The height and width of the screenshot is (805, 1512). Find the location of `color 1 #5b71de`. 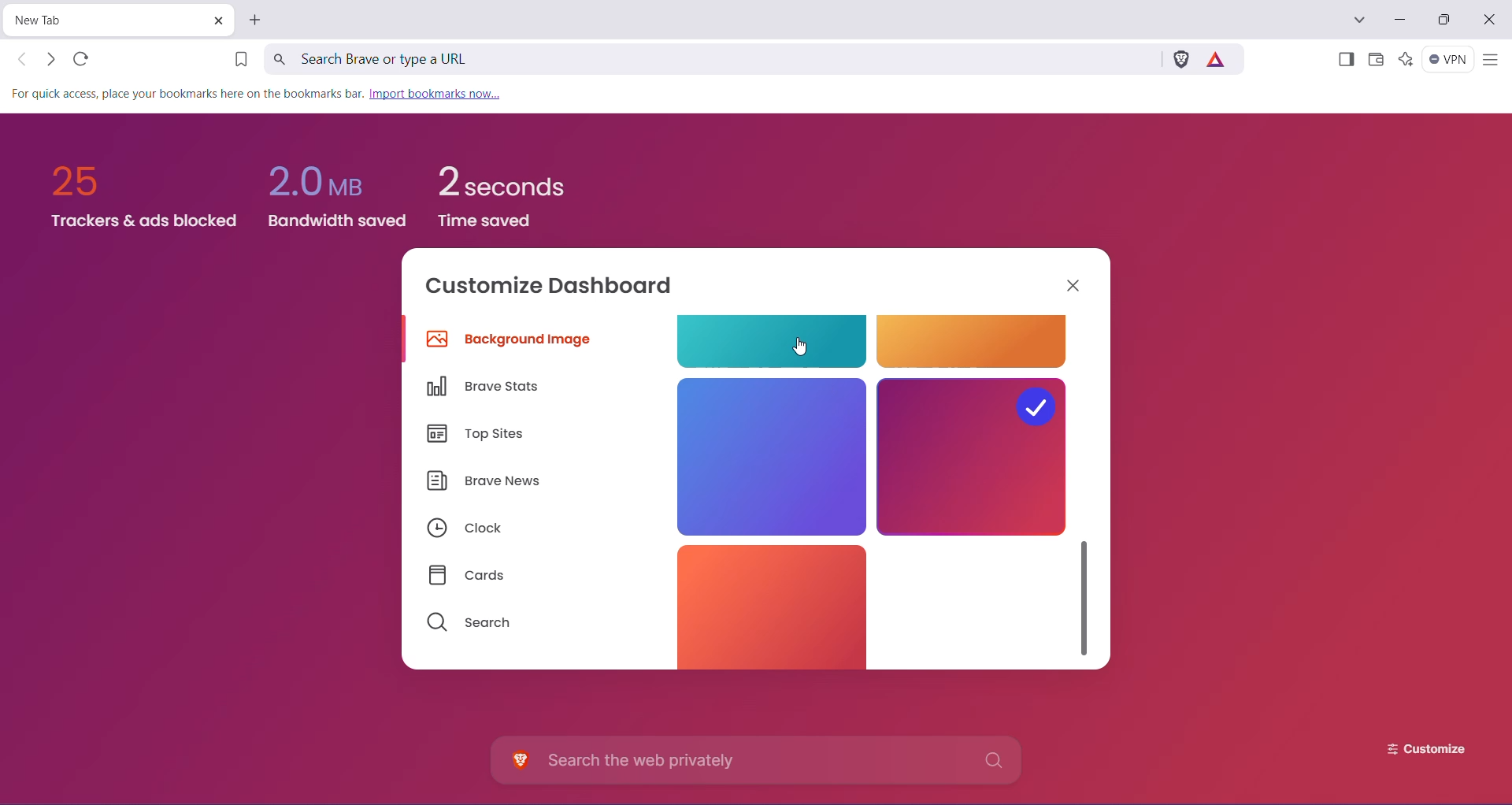

color 1 #5b71de is located at coordinates (769, 454).